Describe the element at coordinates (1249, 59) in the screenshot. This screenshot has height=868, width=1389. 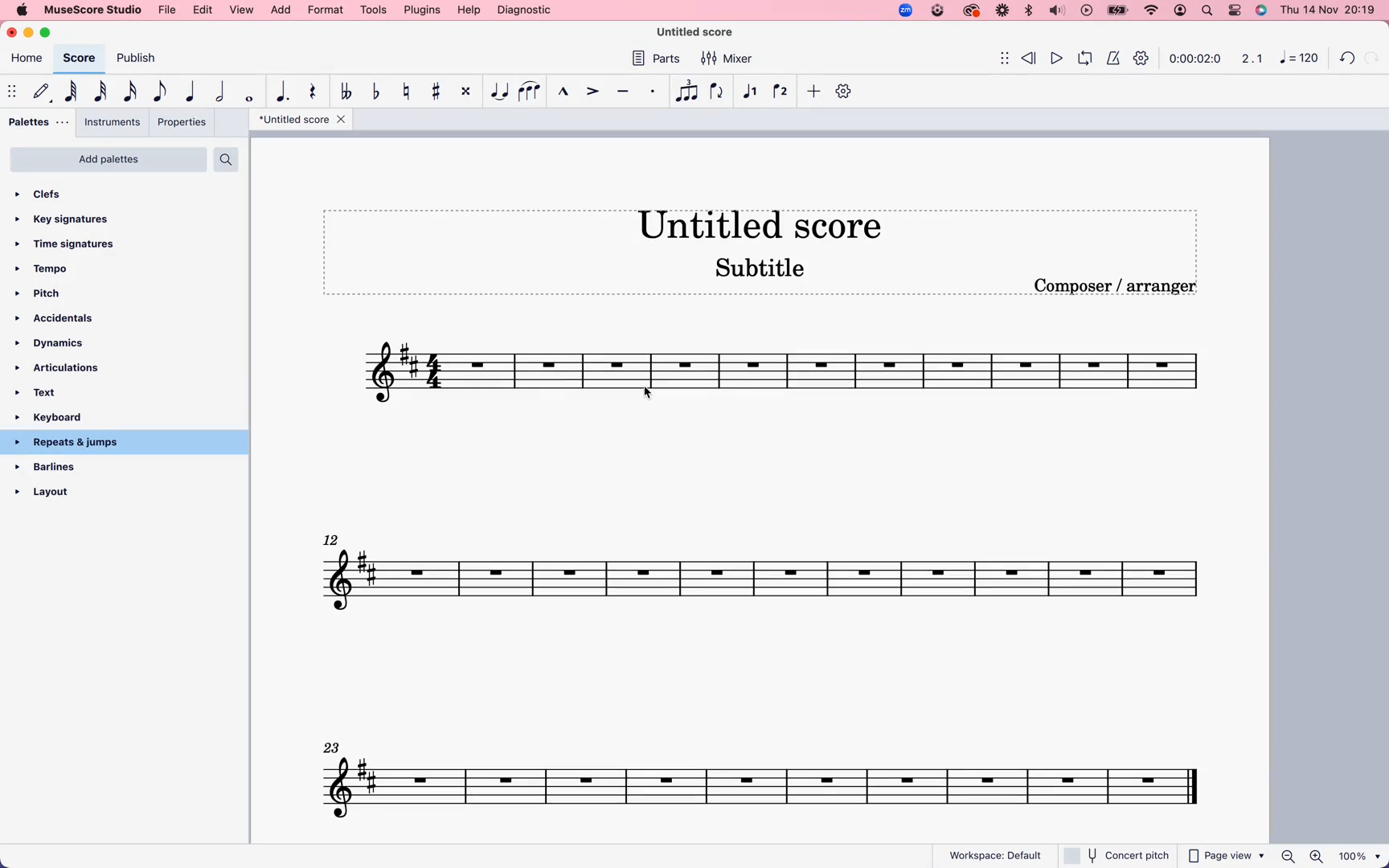
I see `scale` at that location.